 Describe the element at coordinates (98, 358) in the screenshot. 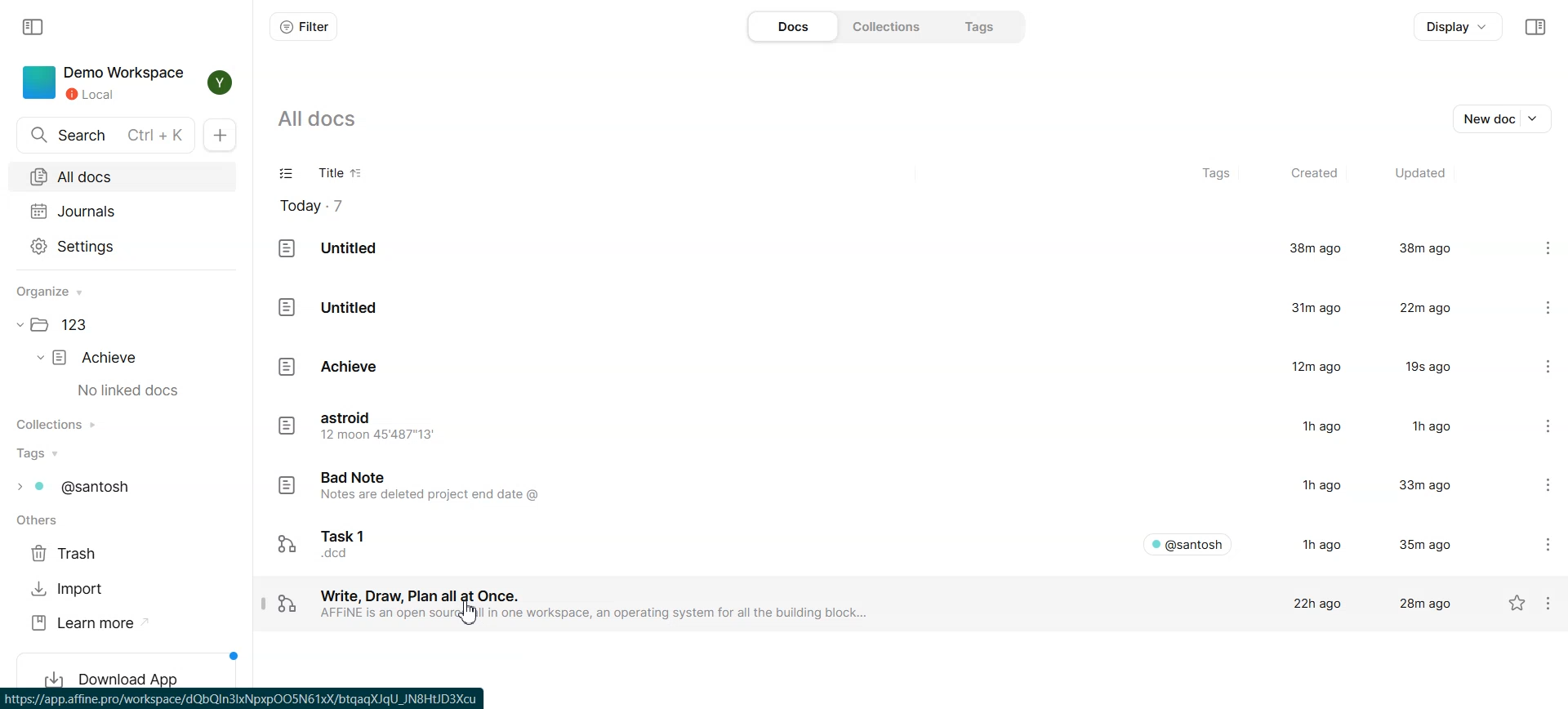

I see `Achieve` at that location.